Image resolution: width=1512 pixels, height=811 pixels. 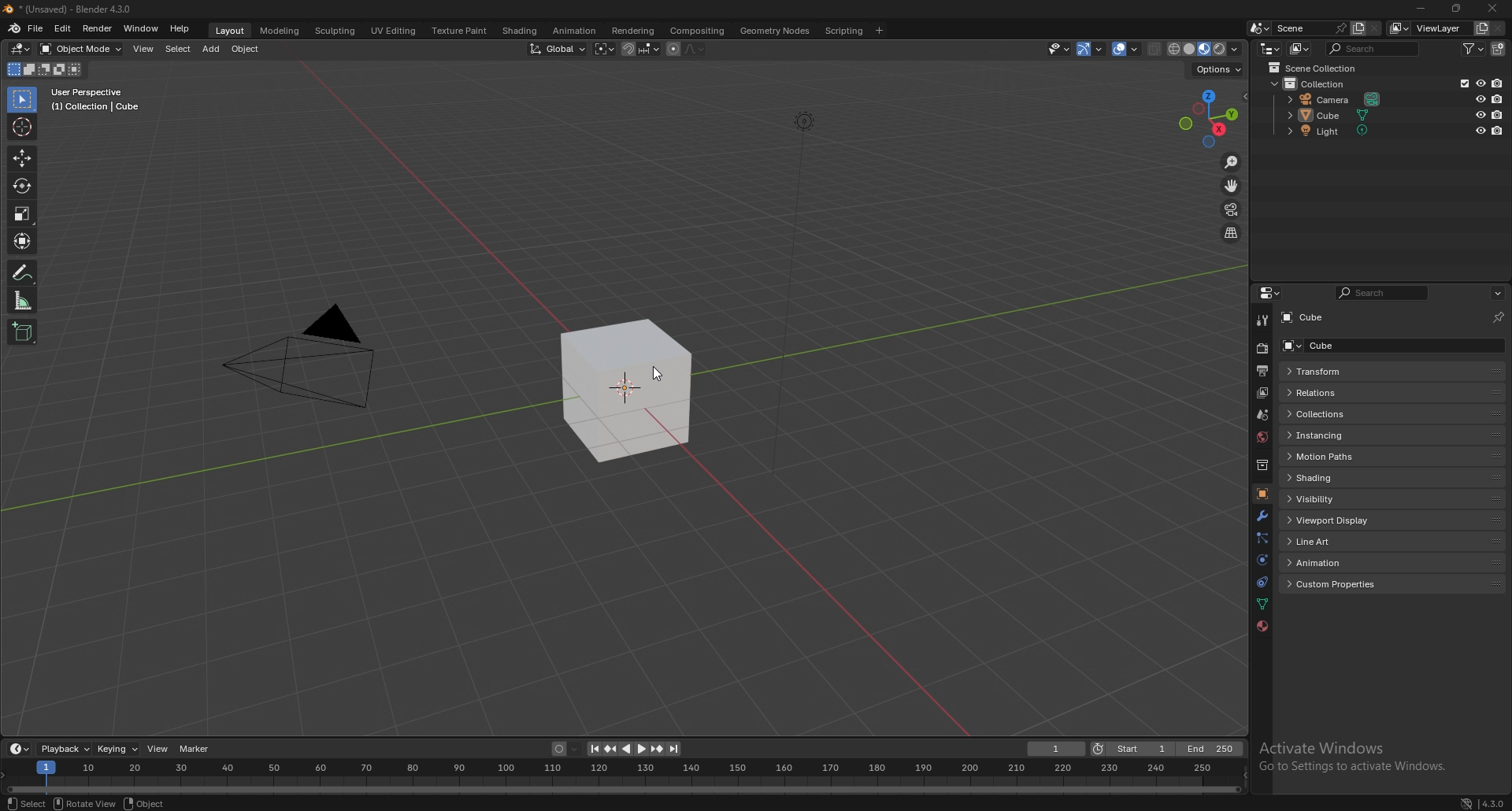 I want to click on view layer, so click(x=1428, y=28).